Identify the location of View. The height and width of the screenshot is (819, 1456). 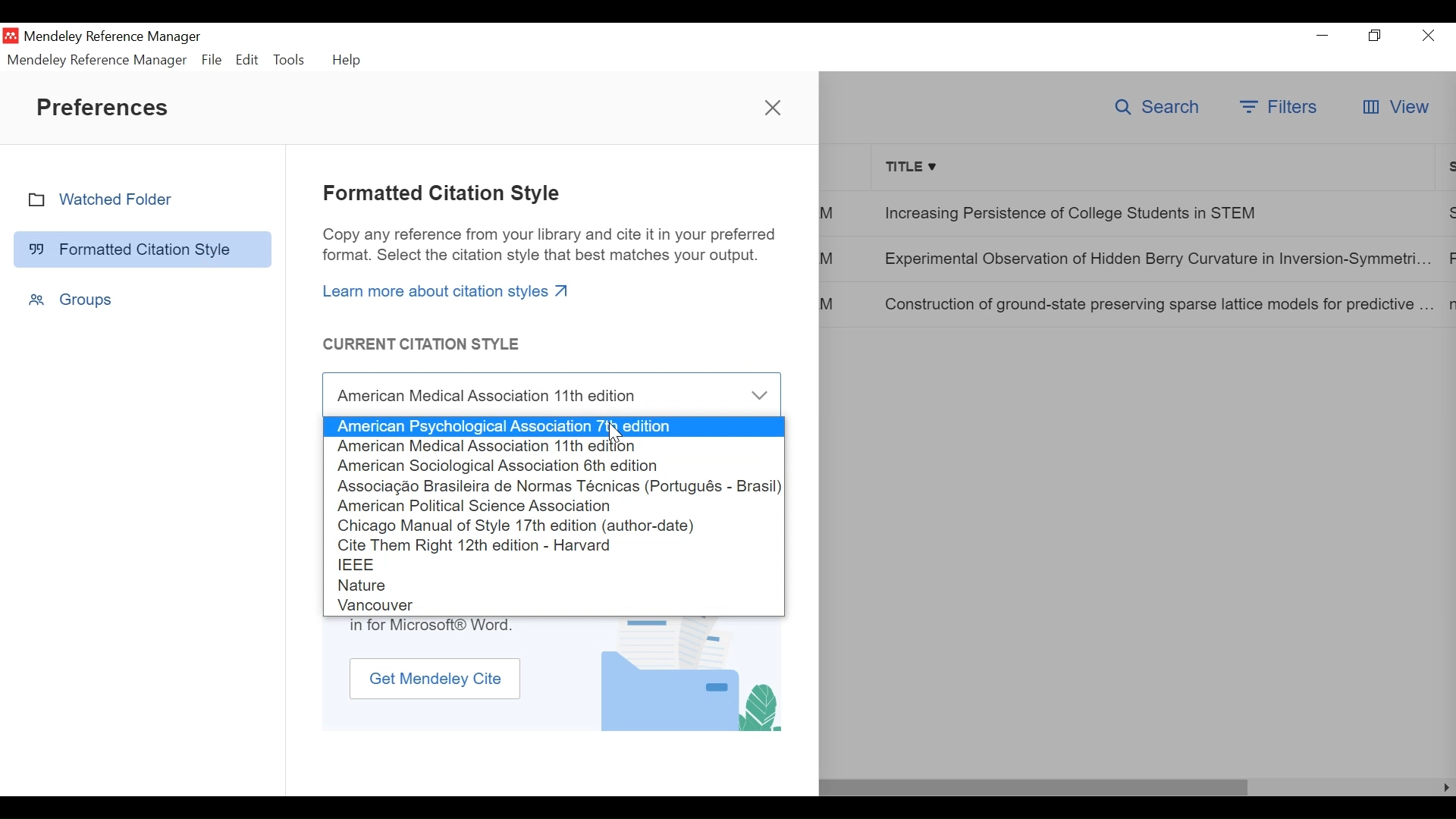
(1395, 108).